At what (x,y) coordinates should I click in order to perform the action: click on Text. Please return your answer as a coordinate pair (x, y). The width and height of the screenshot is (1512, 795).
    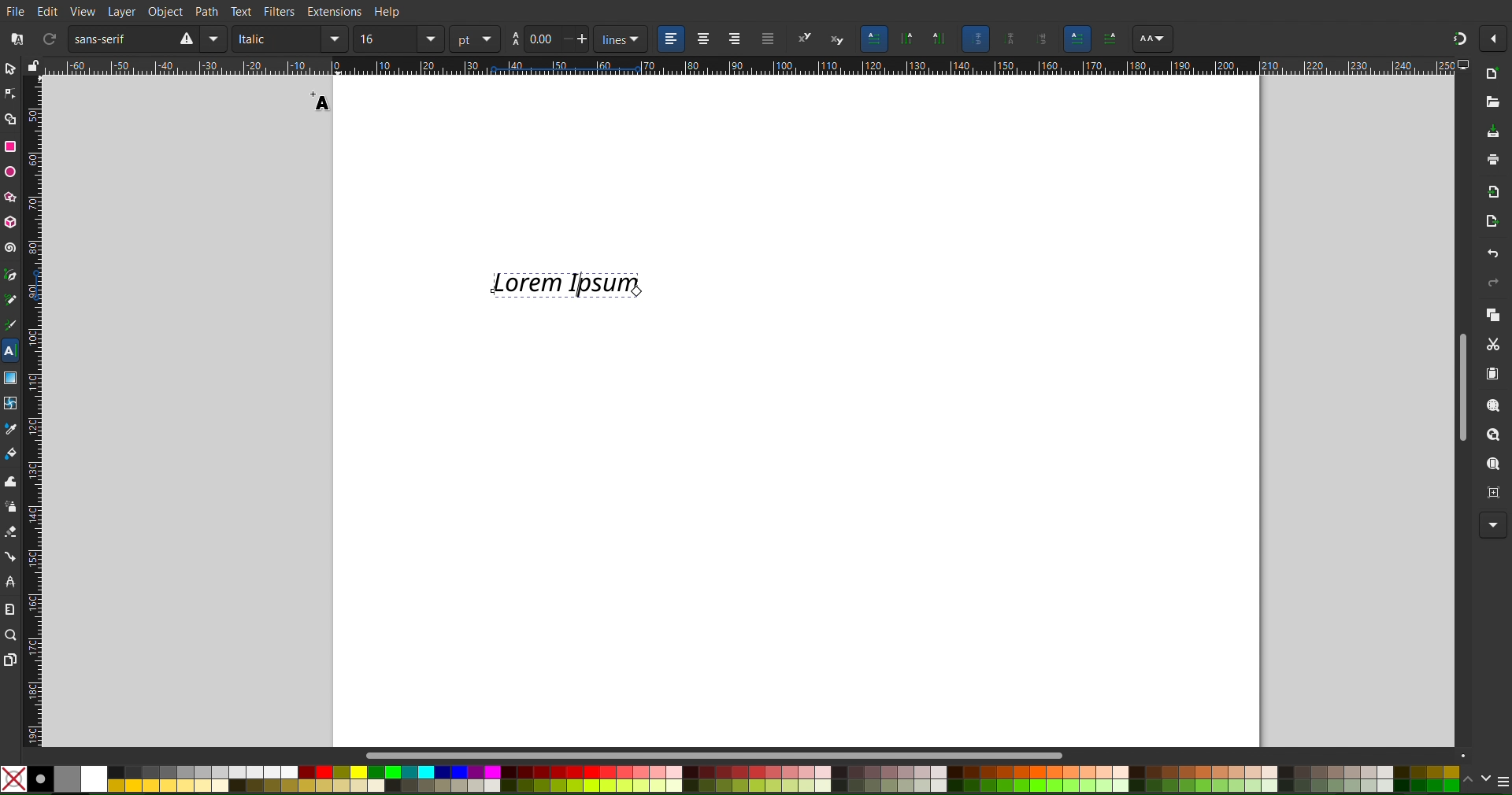
    Looking at the image, I should click on (322, 101).